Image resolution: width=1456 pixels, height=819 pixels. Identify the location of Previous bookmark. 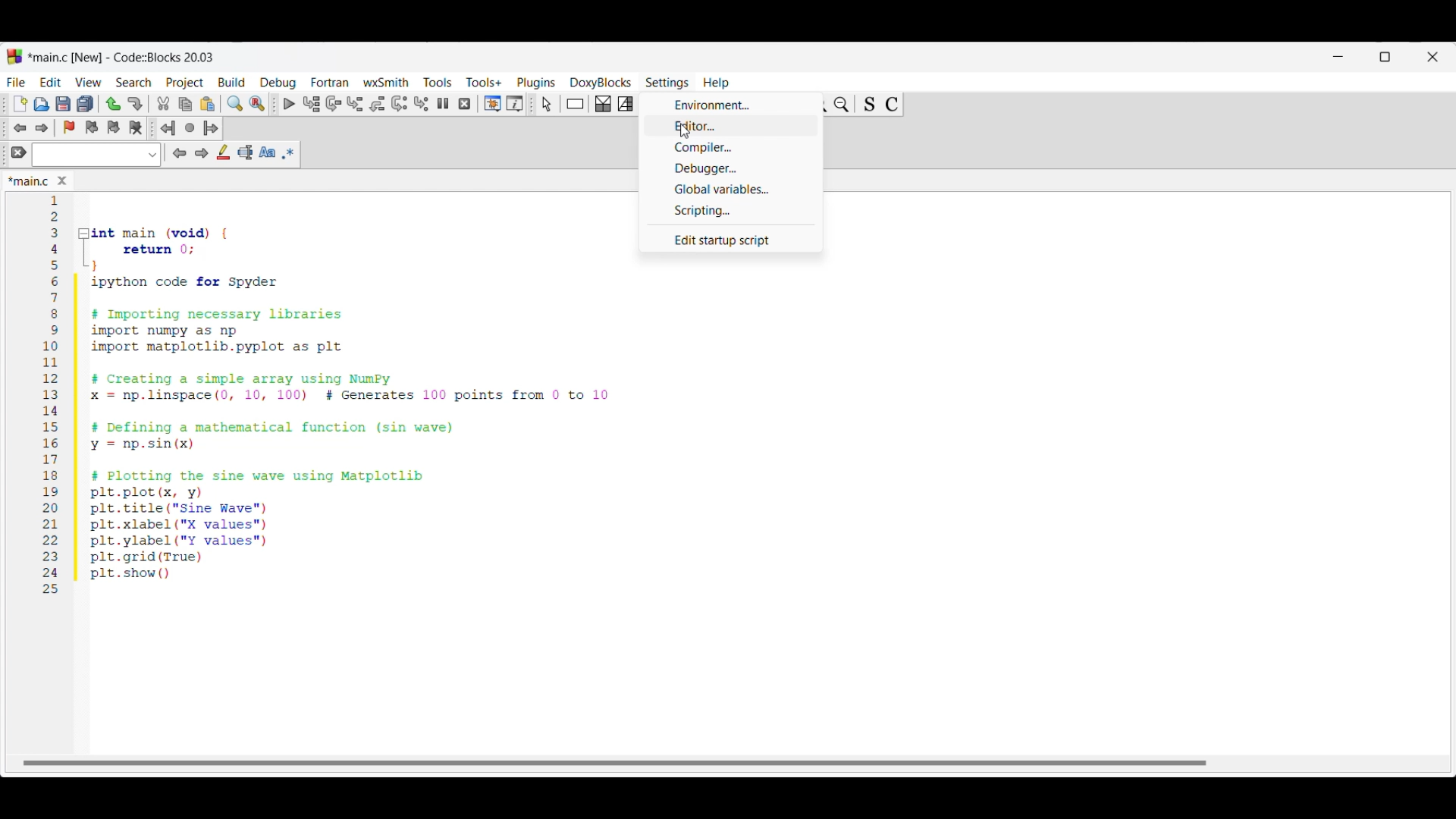
(91, 127).